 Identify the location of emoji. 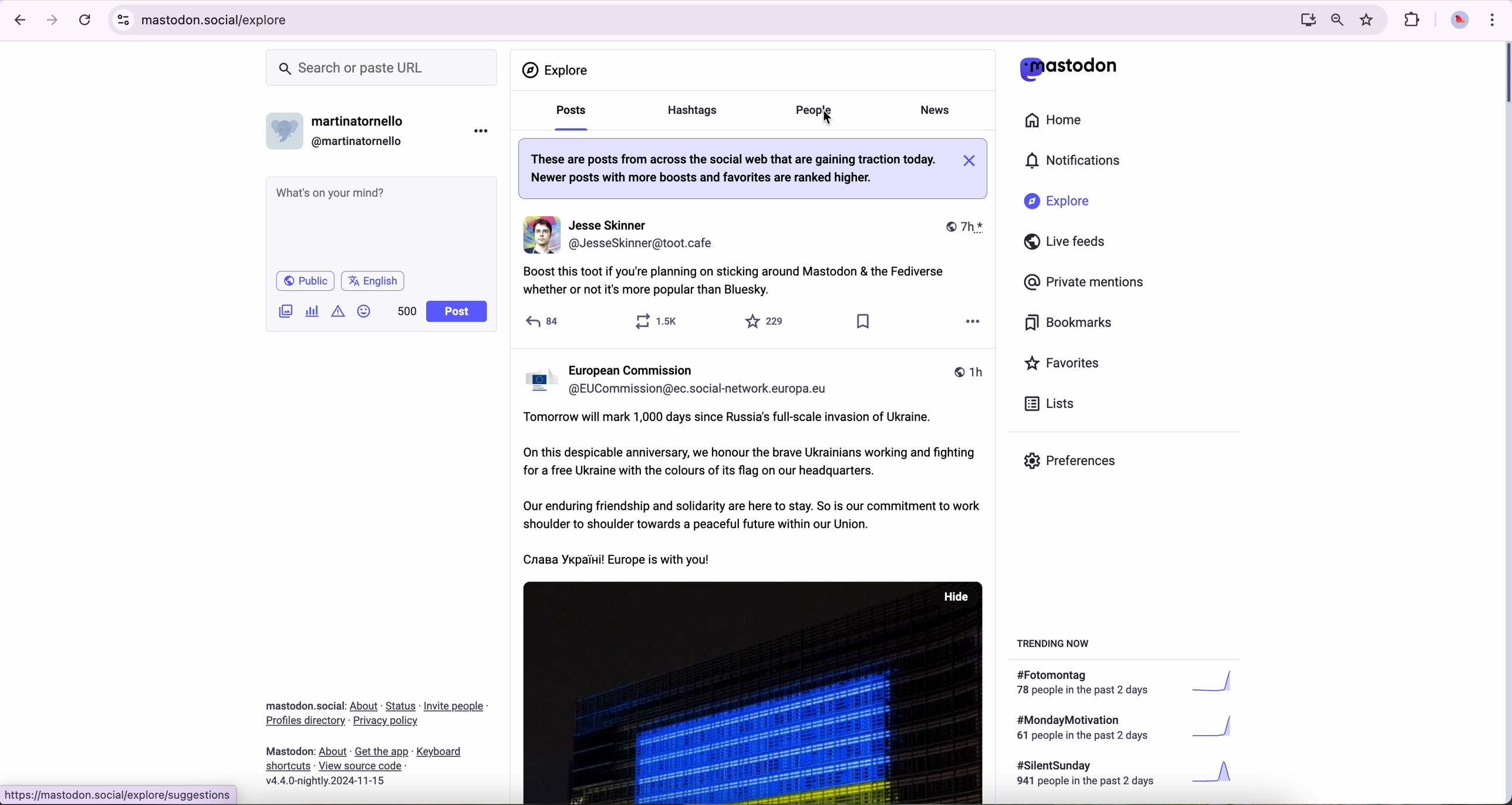
(365, 311).